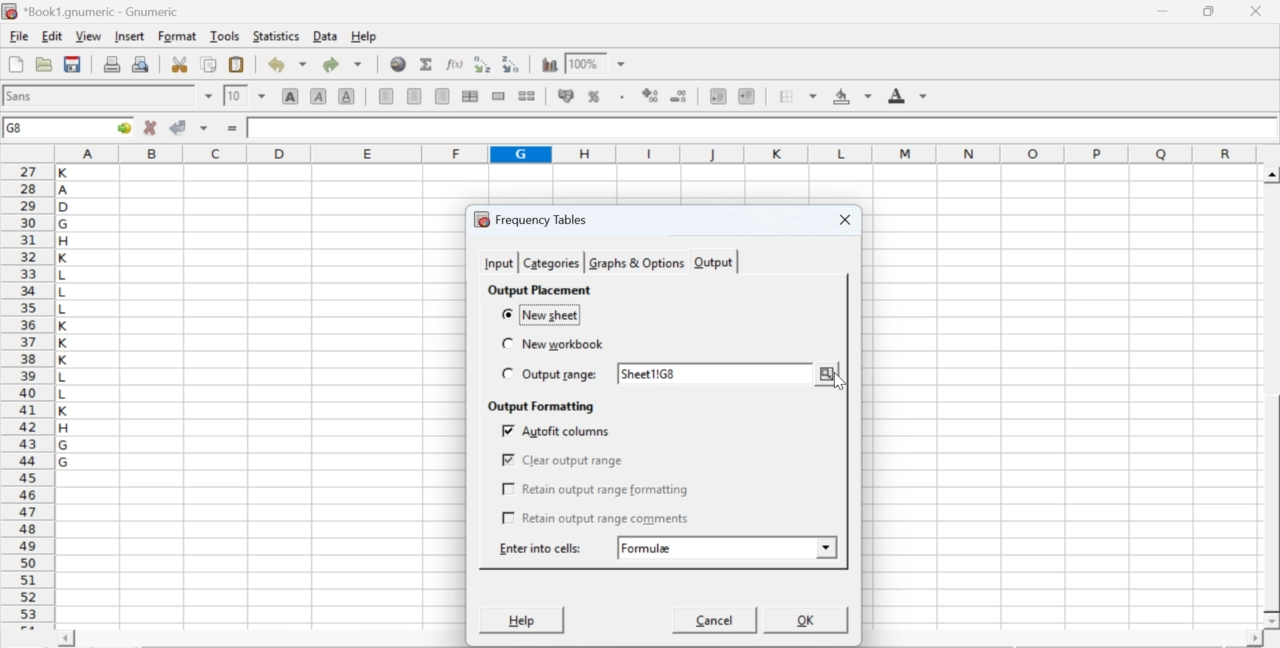 The width and height of the screenshot is (1280, 648). I want to click on clear output range, so click(562, 460).